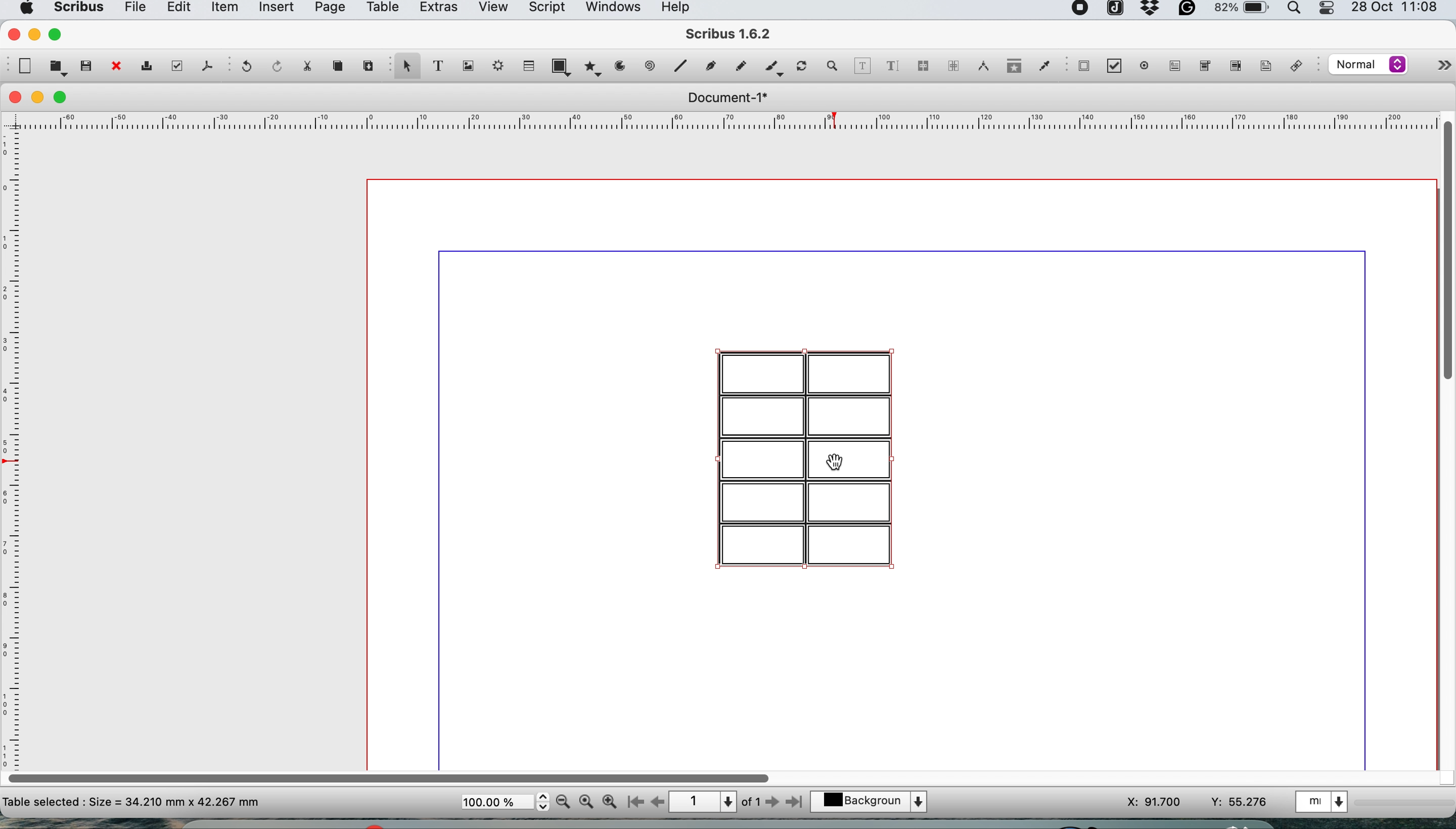 This screenshot has height=829, width=1456. Describe the element at coordinates (1114, 10) in the screenshot. I see `joplin` at that location.